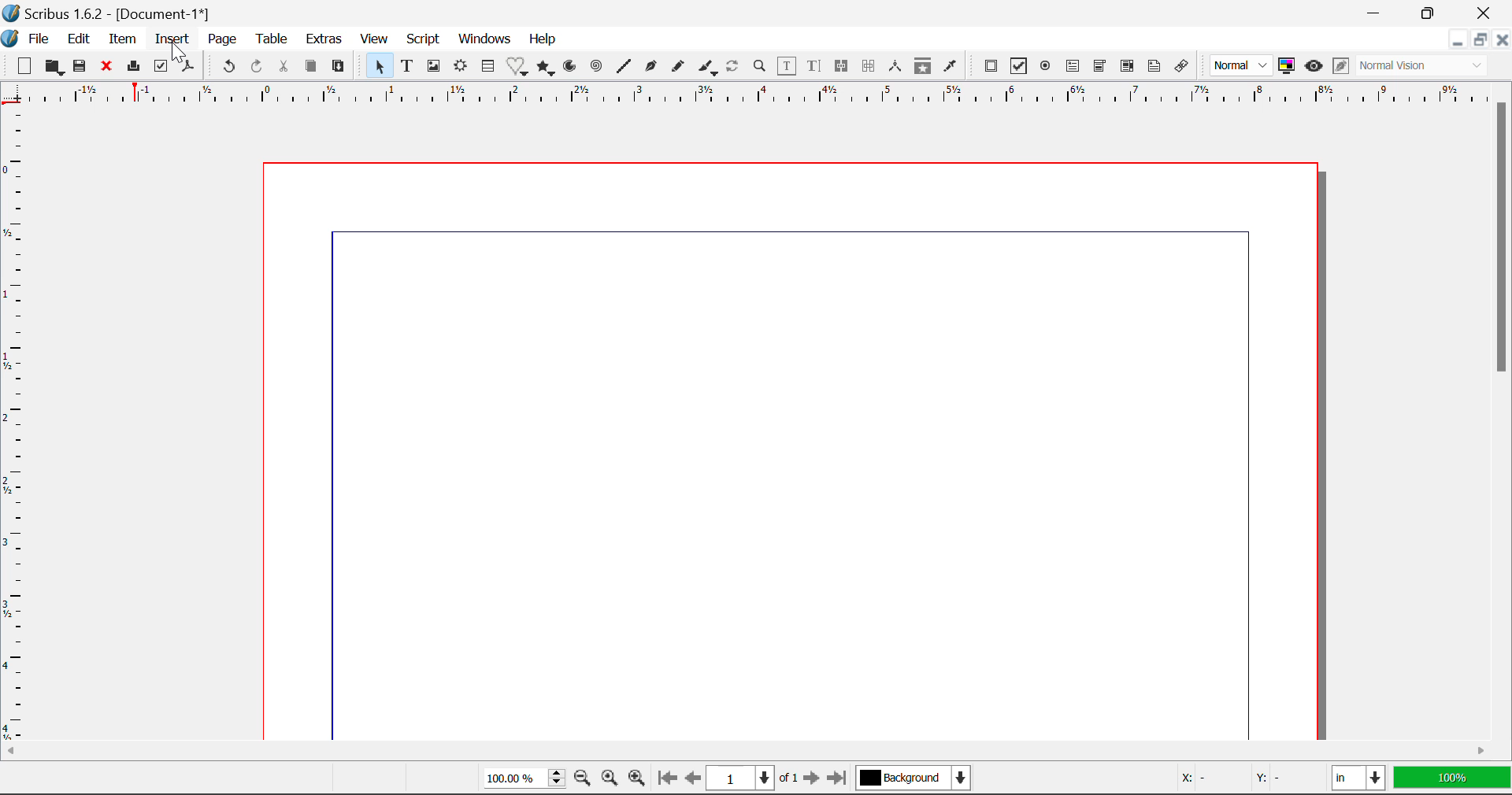  Describe the element at coordinates (1436, 13) in the screenshot. I see `Minimize` at that location.